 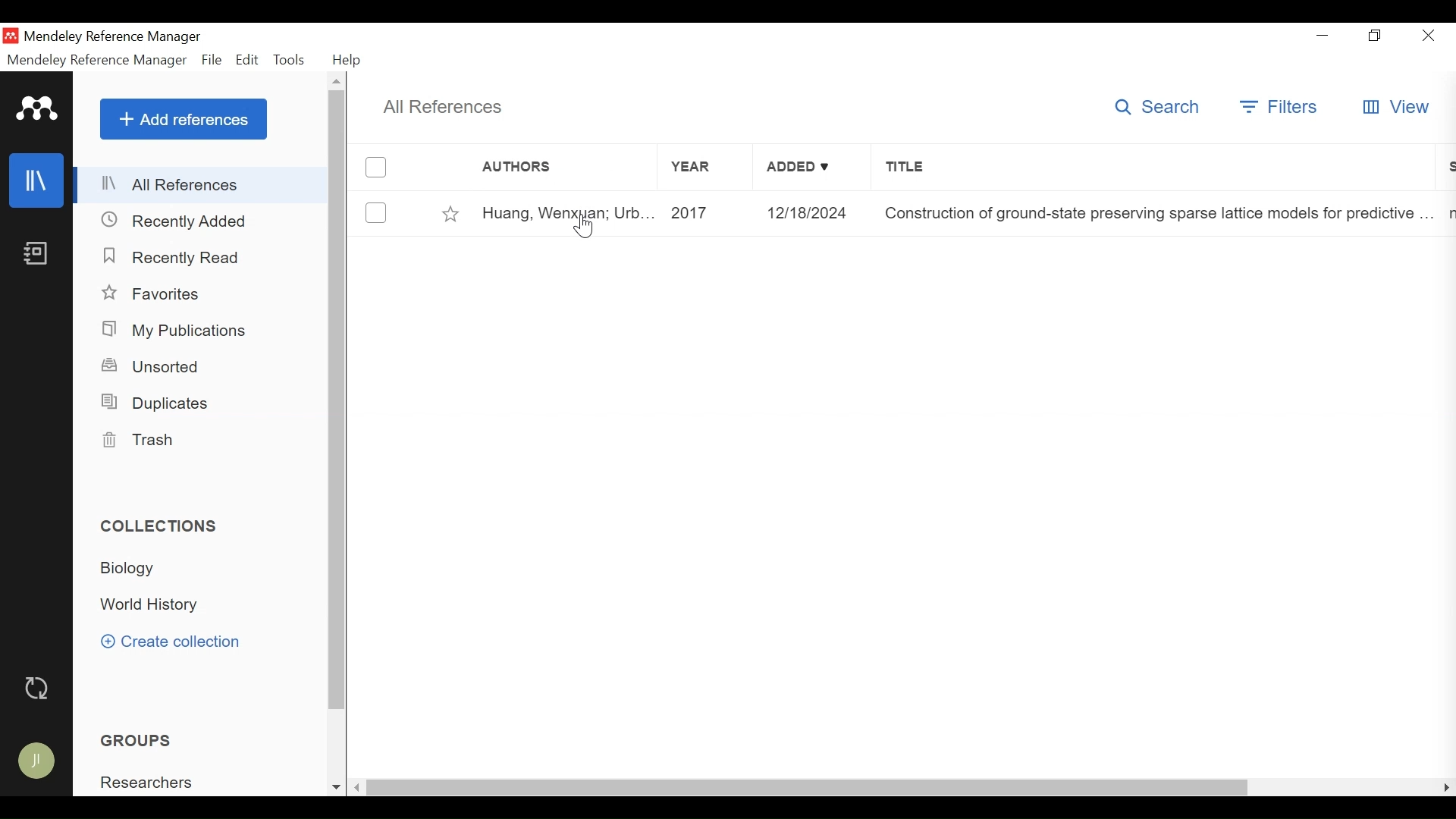 What do you see at coordinates (585, 226) in the screenshot?
I see `Cursor` at bounding box center [585, 226].